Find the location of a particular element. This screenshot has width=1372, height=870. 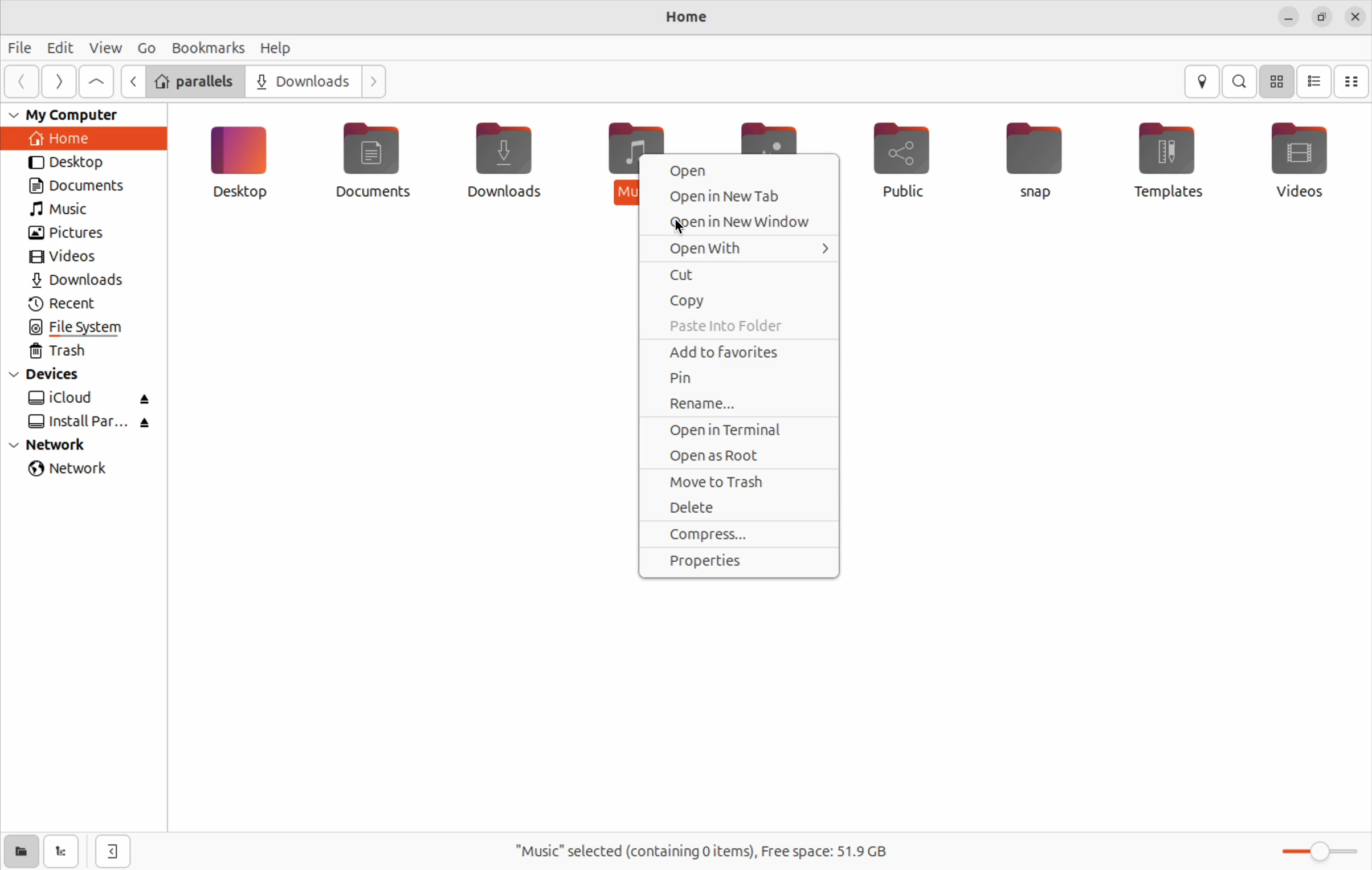

network is located at coordinates (60, 446).